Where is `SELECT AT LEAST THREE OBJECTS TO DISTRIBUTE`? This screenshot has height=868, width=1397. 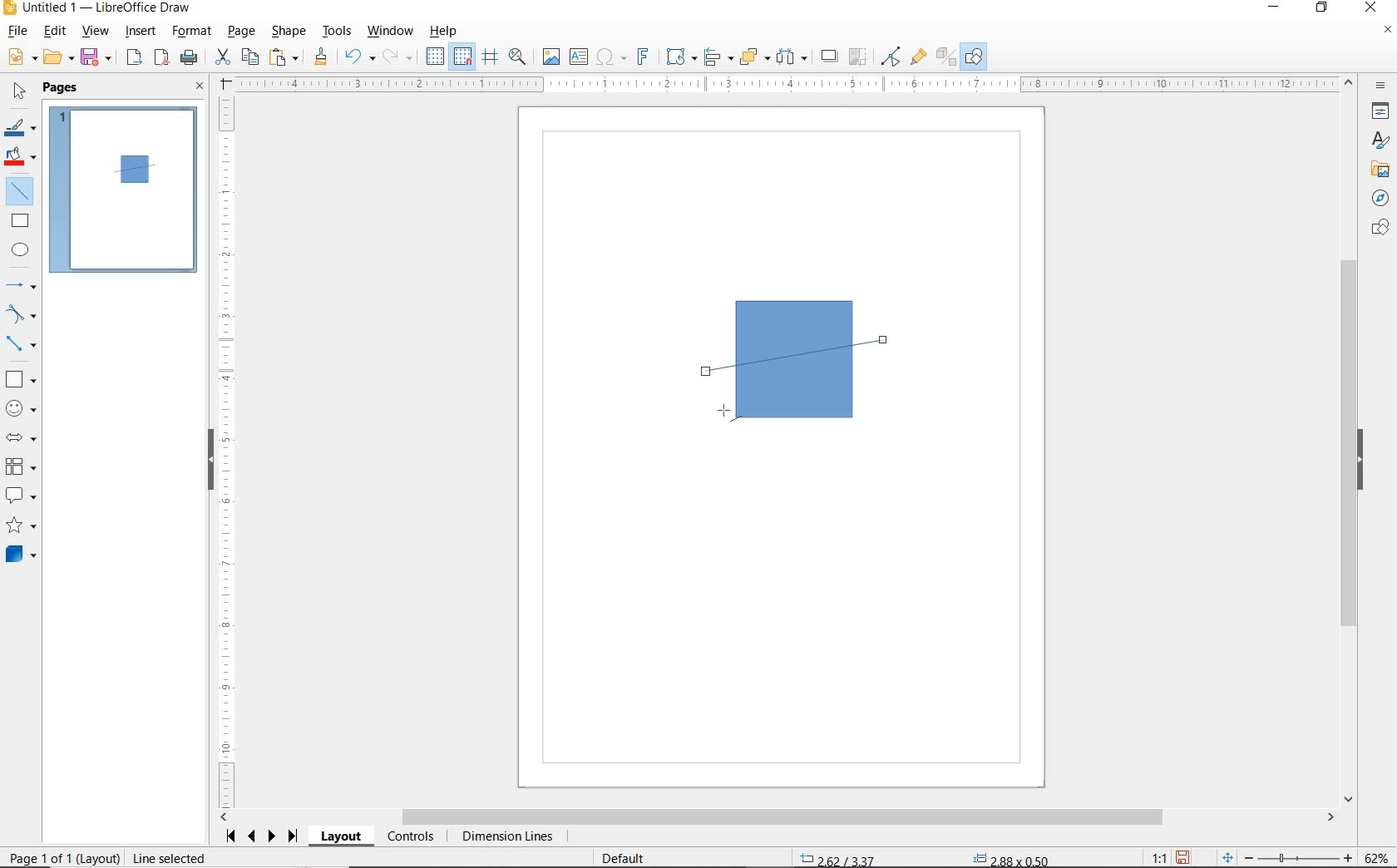 SELECT AT LEAST THREE OBJECTS TO DISTRIBUTE is located at coordinates (792, 57).